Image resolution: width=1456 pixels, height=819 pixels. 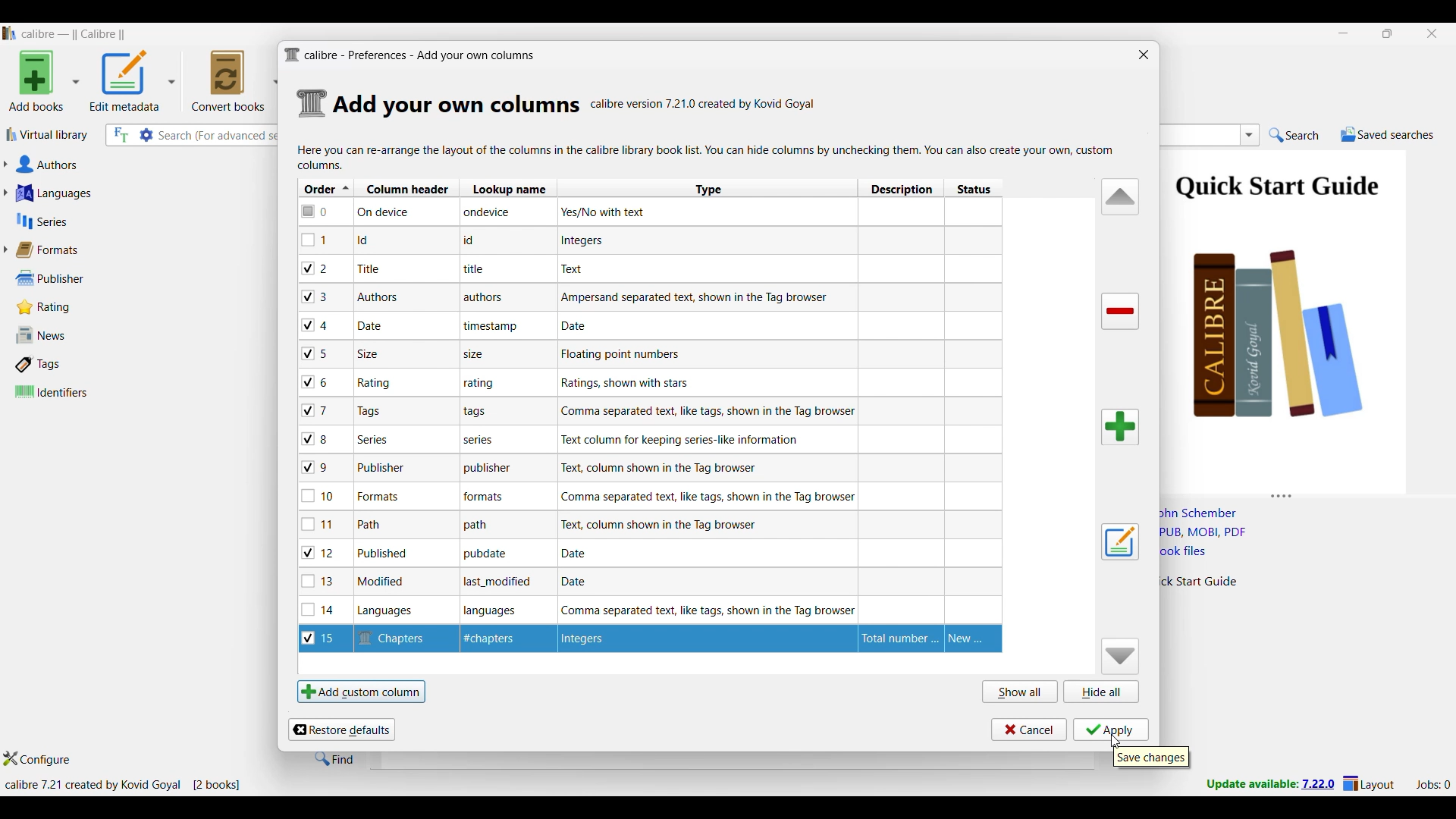 I want to click on Find, so click(x=334, y=758).